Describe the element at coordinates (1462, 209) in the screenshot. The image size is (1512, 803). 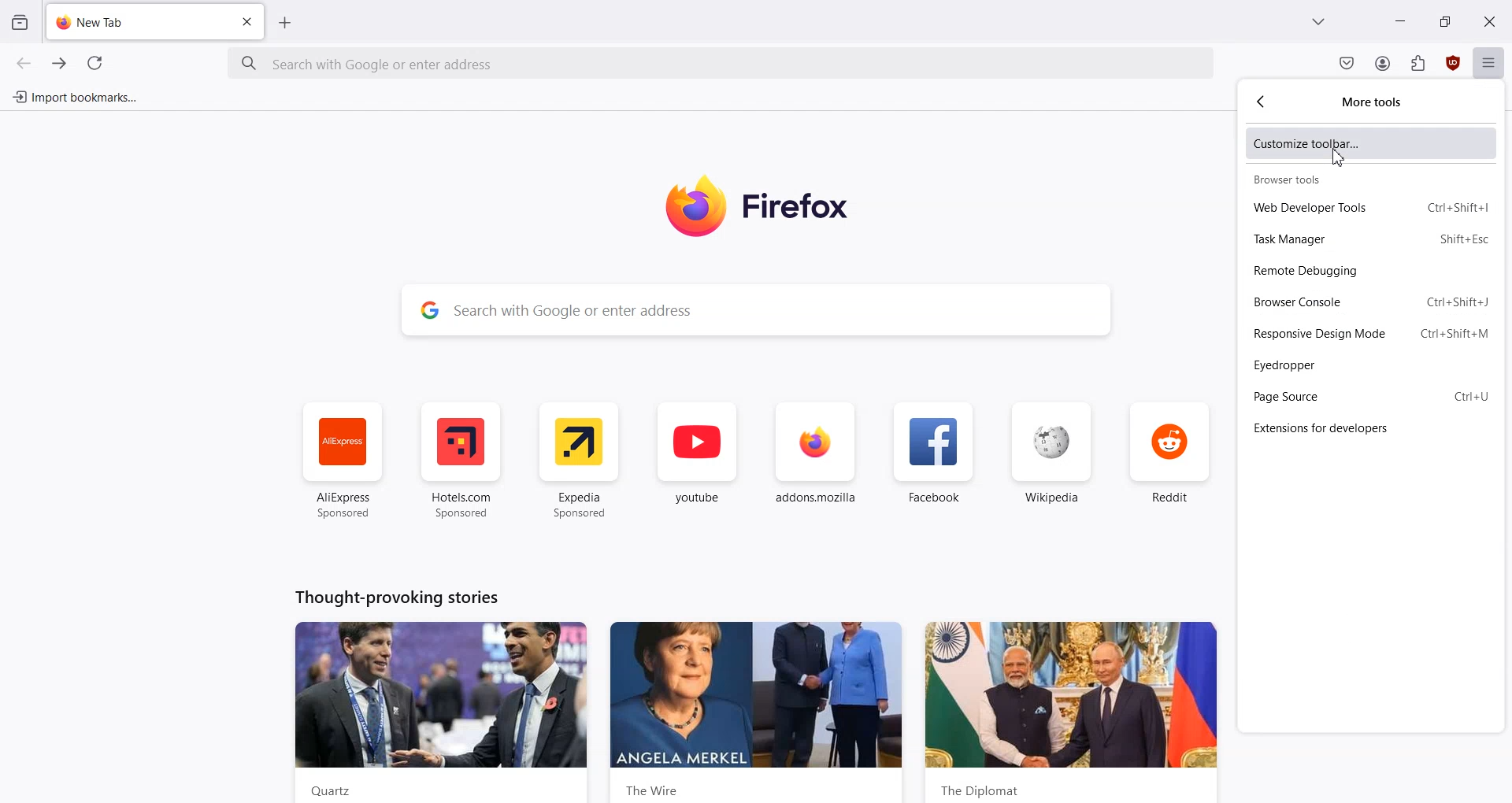
I see `Shortcut key` at that location.